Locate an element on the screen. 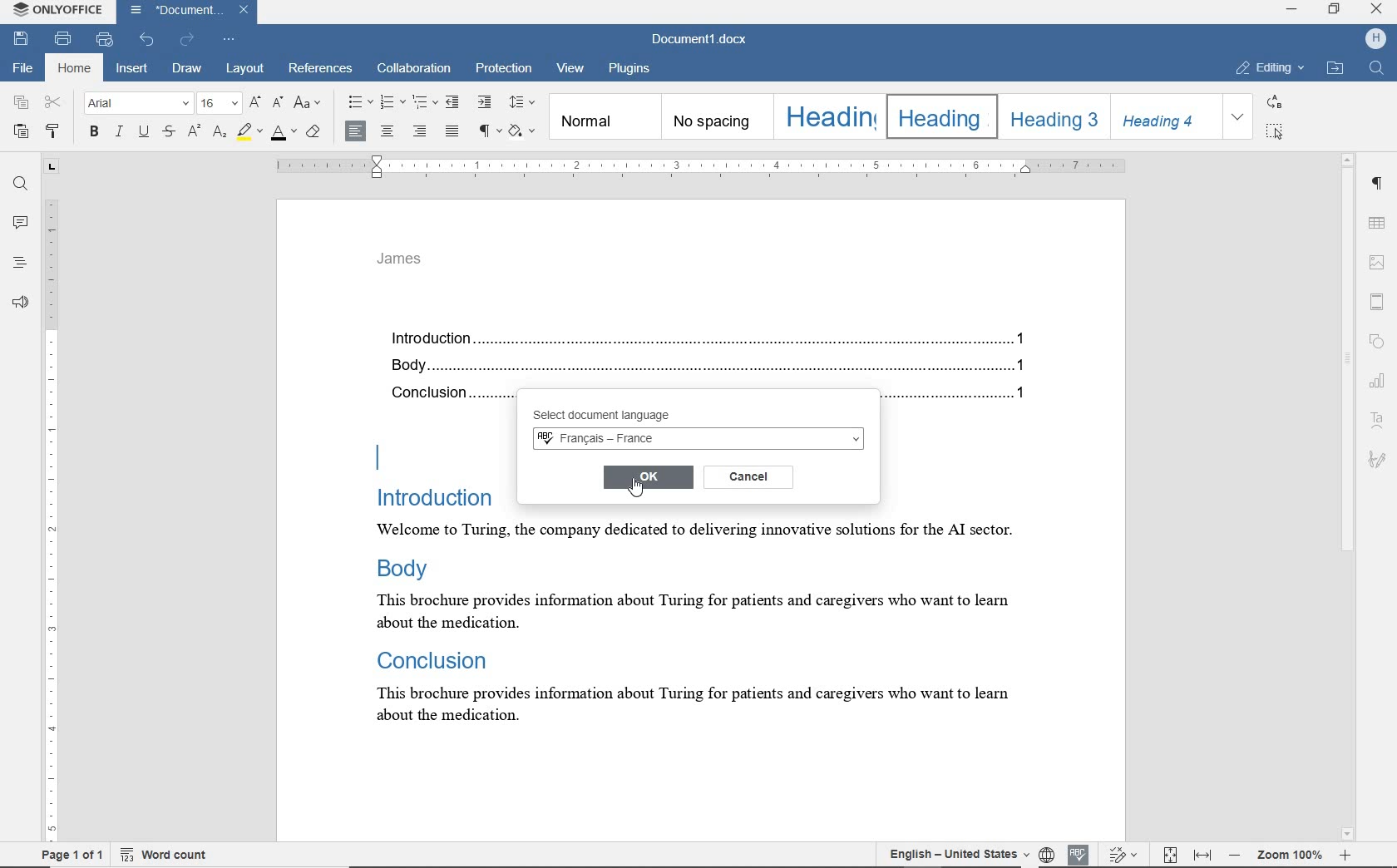 This screenshot has width=1397, height=868.  is located at coordinates (431, 658).